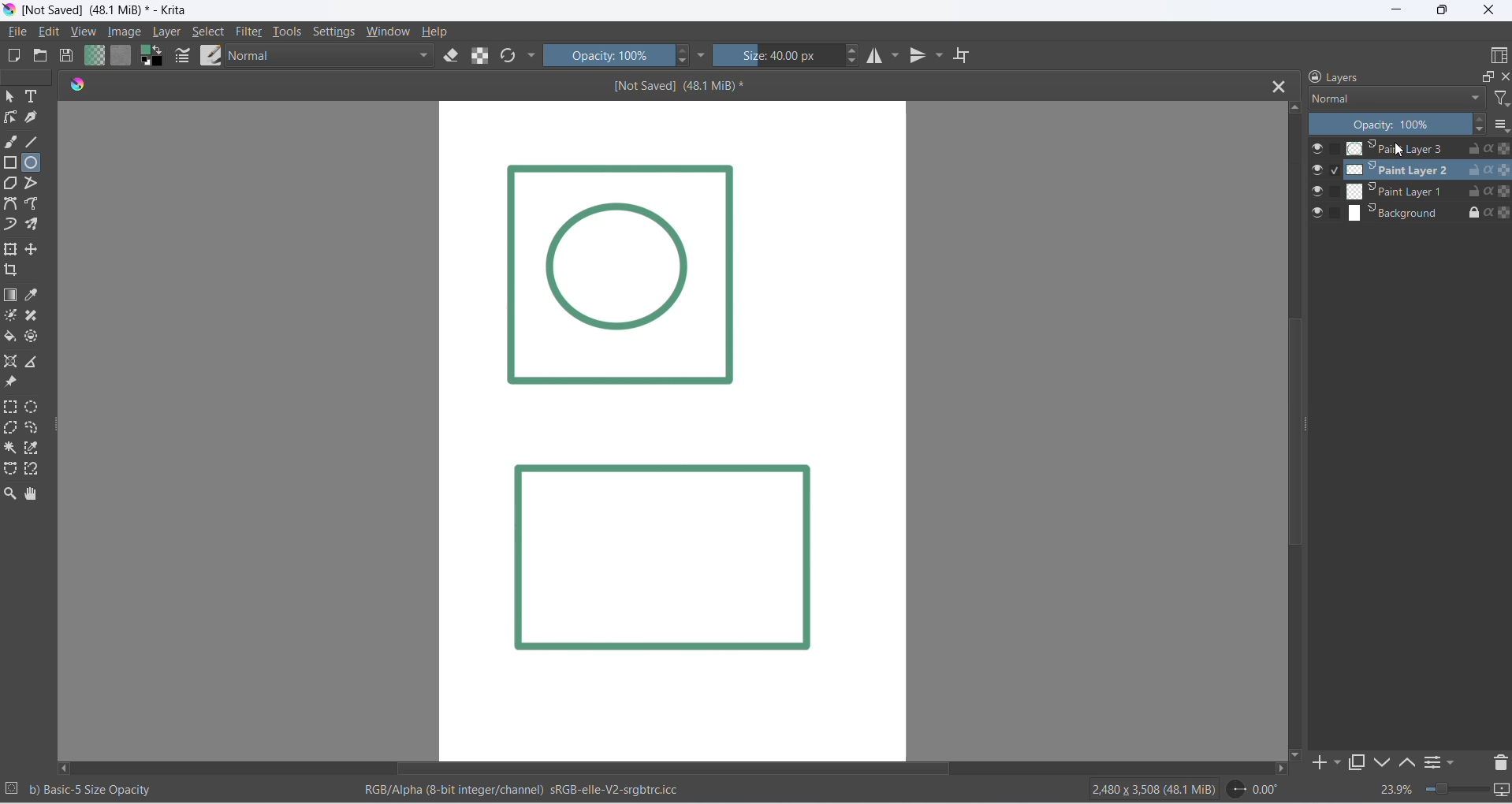 This screenshot has width=1512, height=804. Describe the element at coordinates (1497, 190) in the screenshot. I see `Preserver Alpha` at that location.